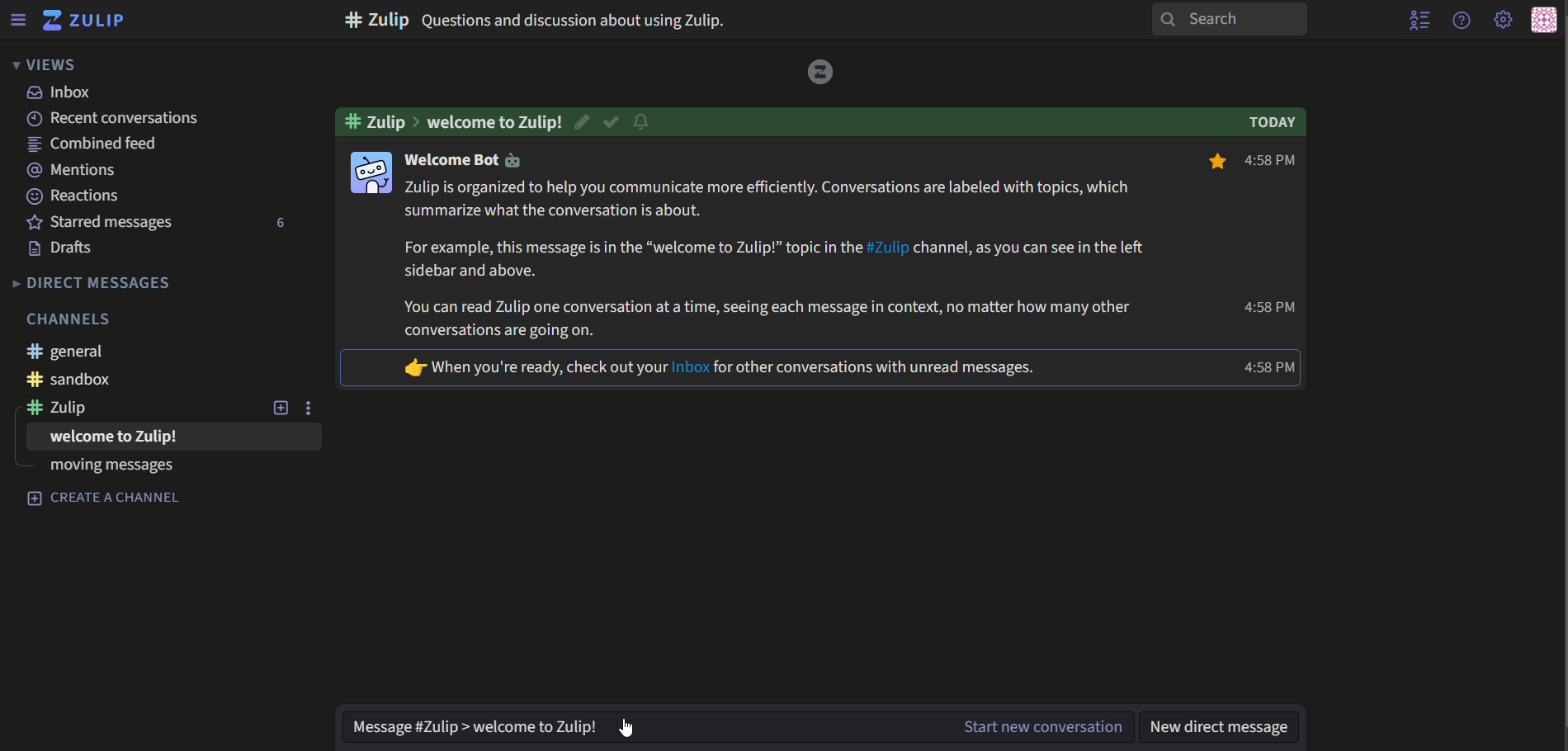  I want to click on search bar, so click(1226, 19).